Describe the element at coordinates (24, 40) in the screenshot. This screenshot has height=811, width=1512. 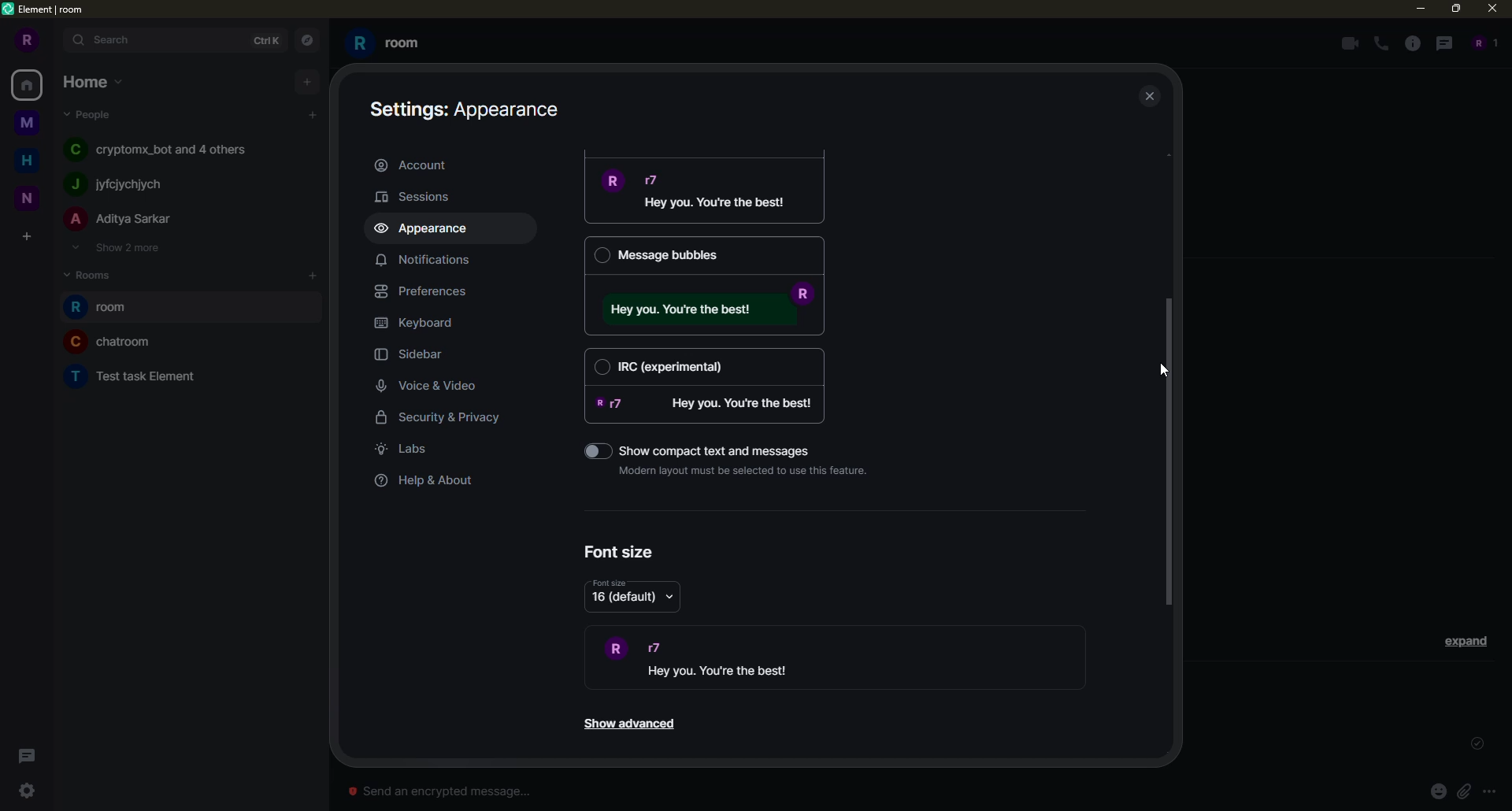
I see `profile` at that location.